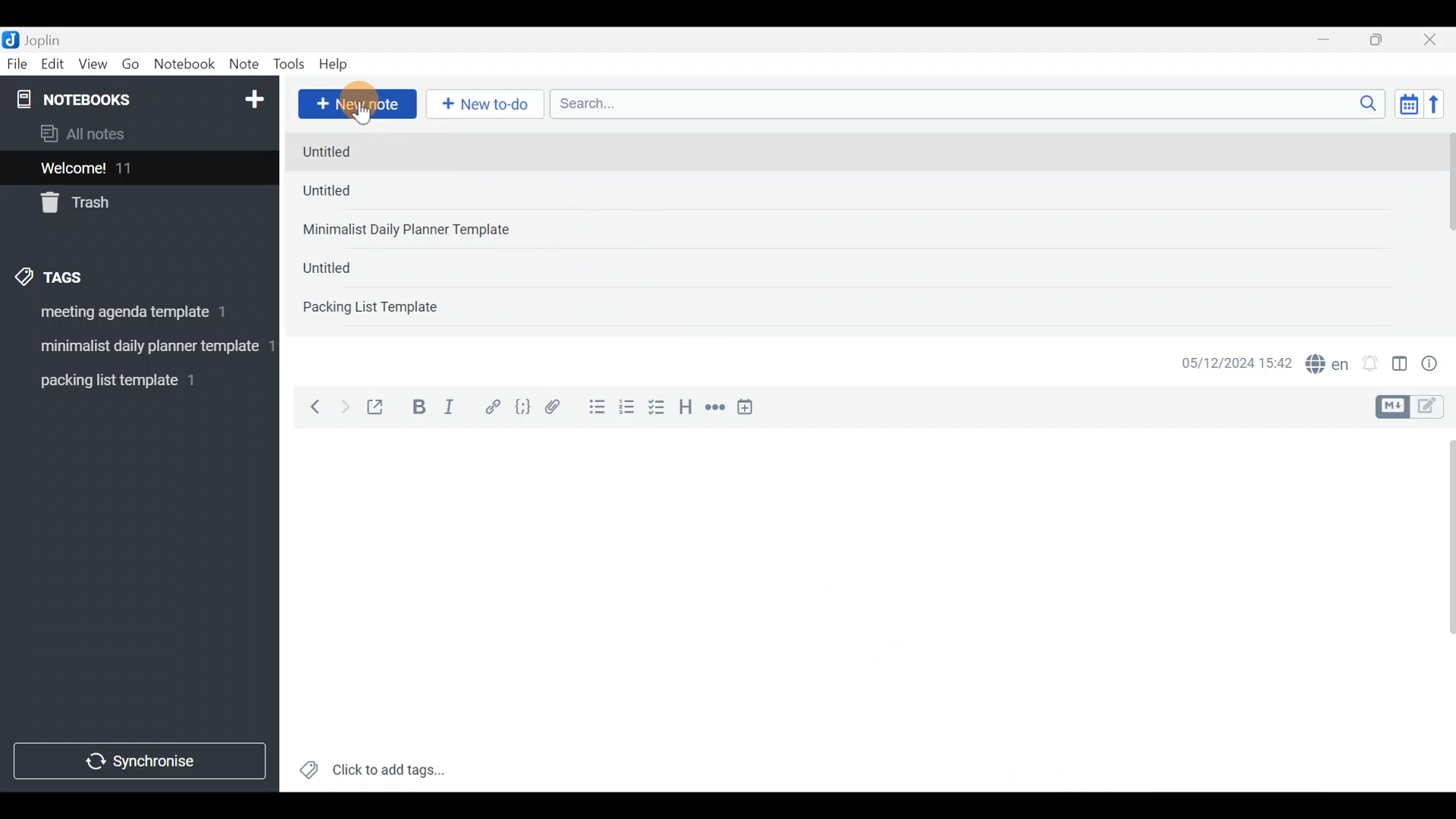  Describe the element at coordinates (185, 64) in the screenshot. I see `Notebook` at that location.